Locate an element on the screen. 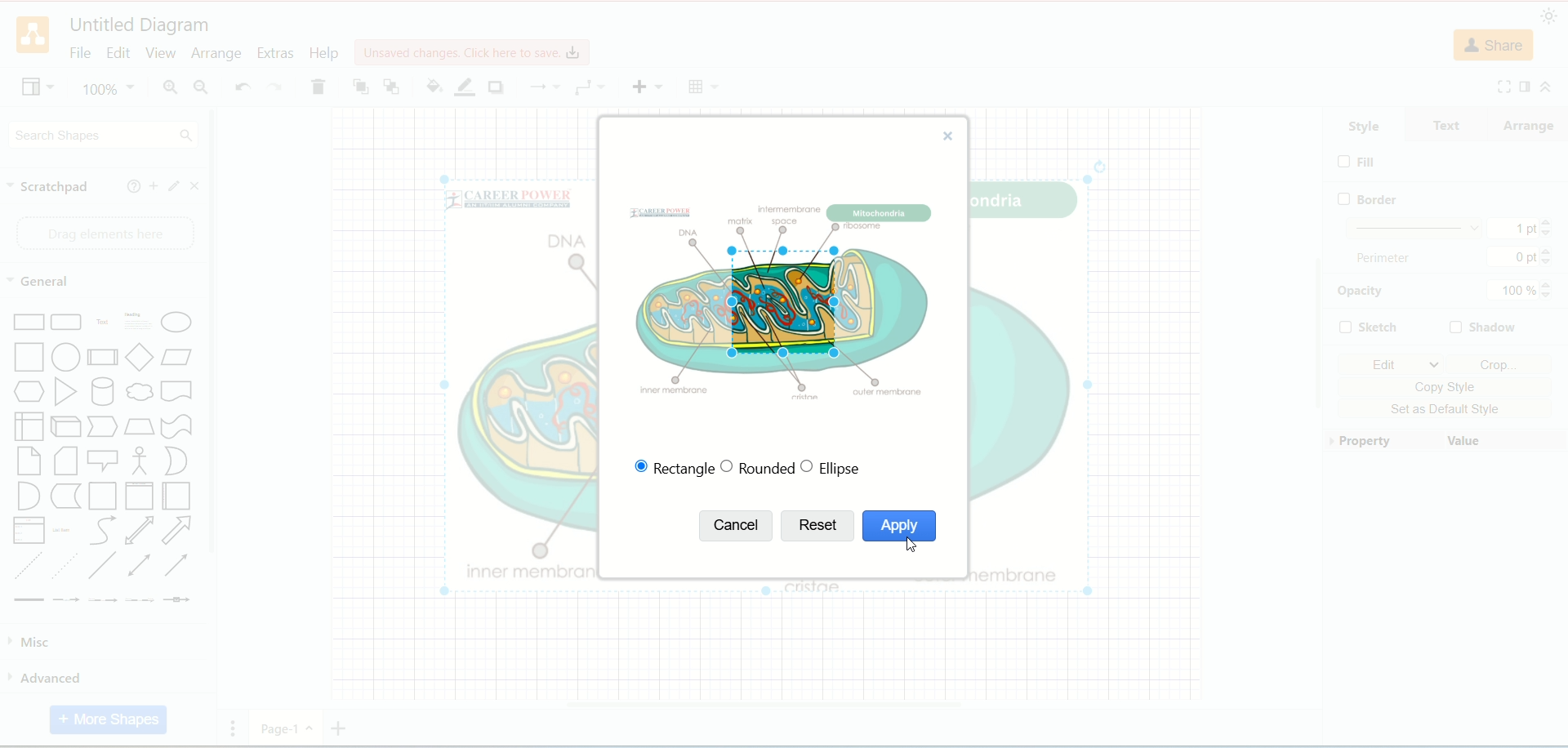  opacity is located at coordinates (1361, 292).